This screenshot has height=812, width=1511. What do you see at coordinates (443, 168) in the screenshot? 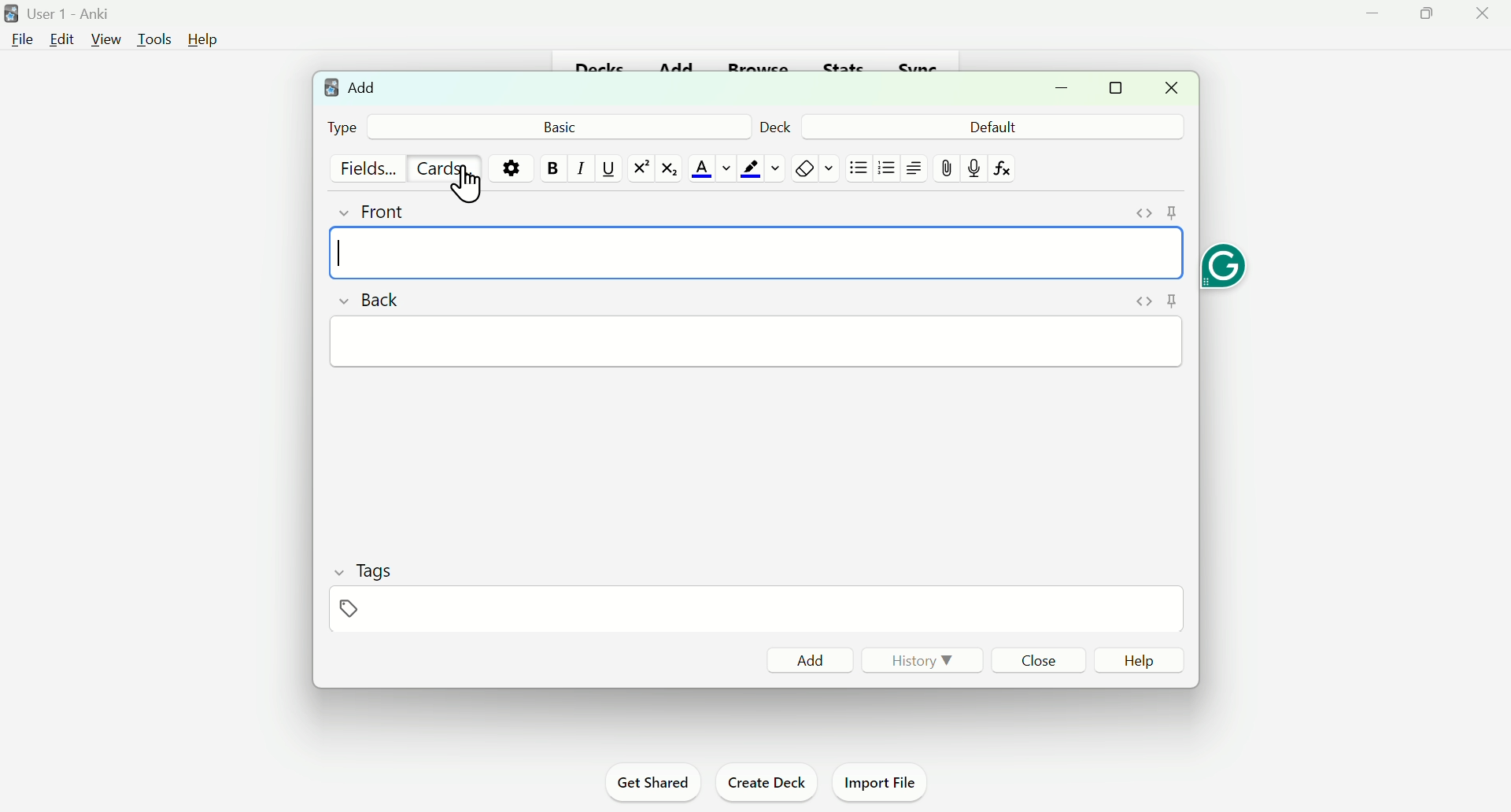
I see `Cards` at bounding box center [443, 168].